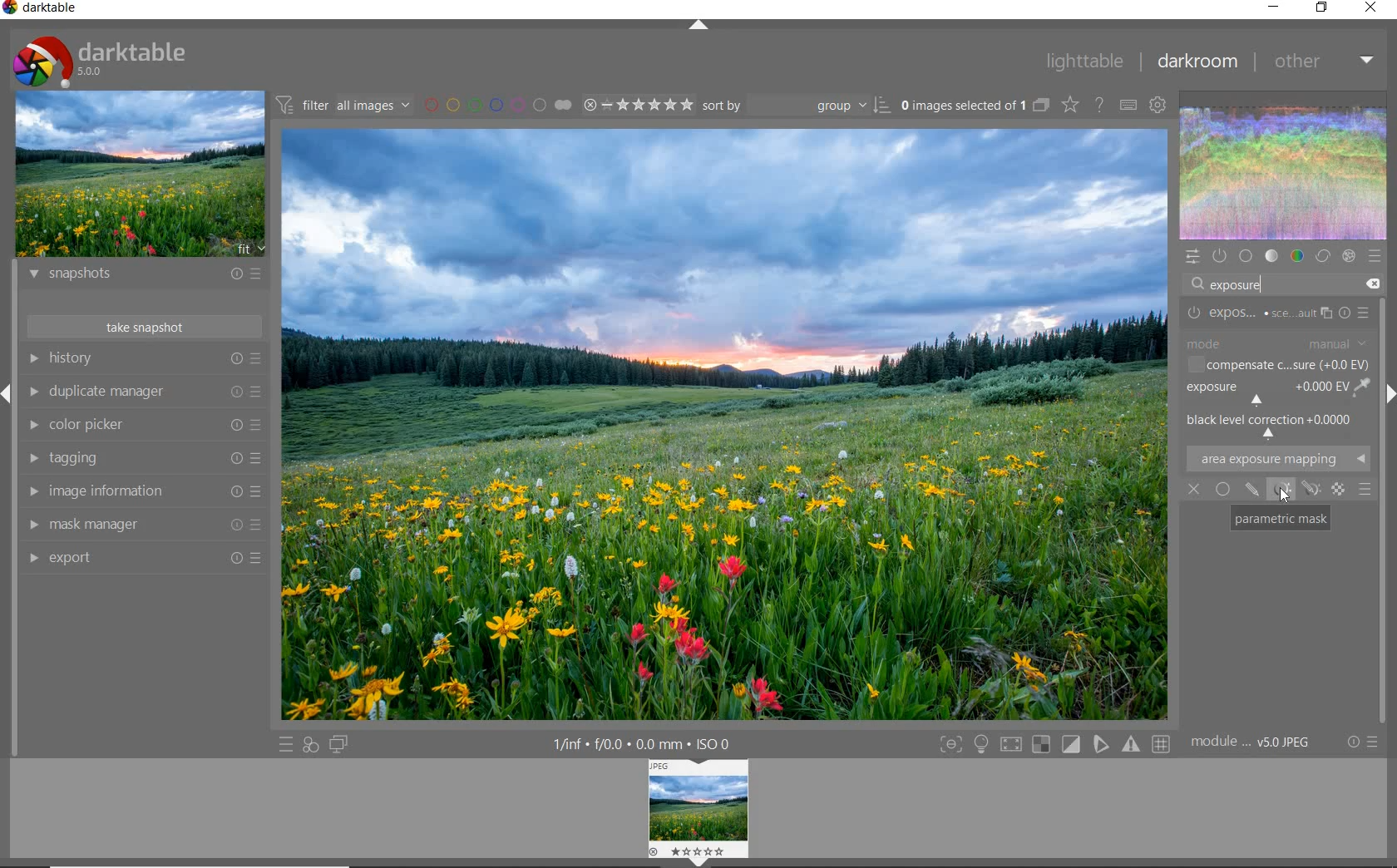 Image resolution: width=1397 pixels, height=868 pixels. Describe the element at coordinates (1295, 490) in the screenshot. I see `MASK OPTIONS` at that location.